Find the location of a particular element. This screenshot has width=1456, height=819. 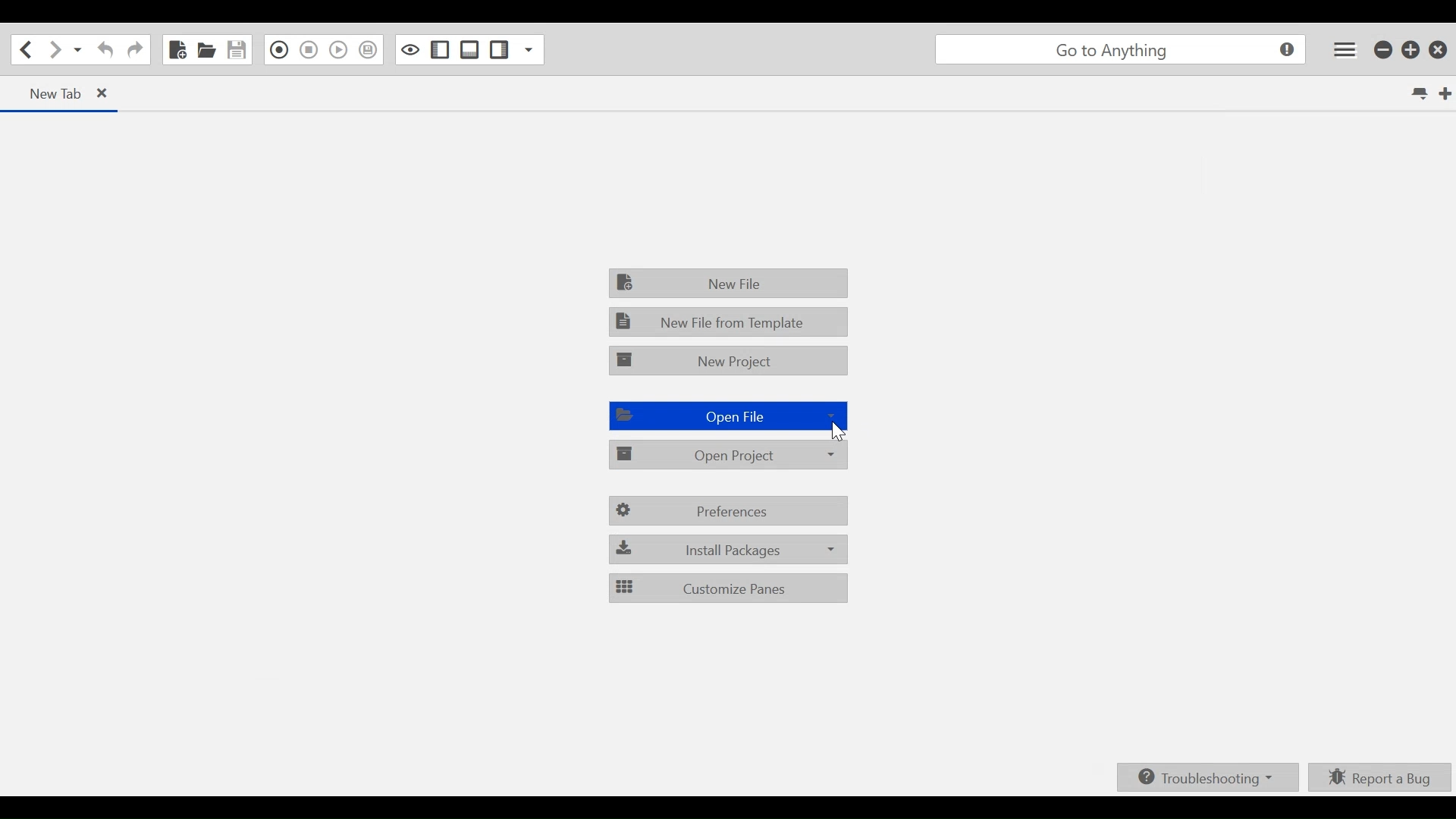

Play Last Macro is located at coordinates (337, 49).